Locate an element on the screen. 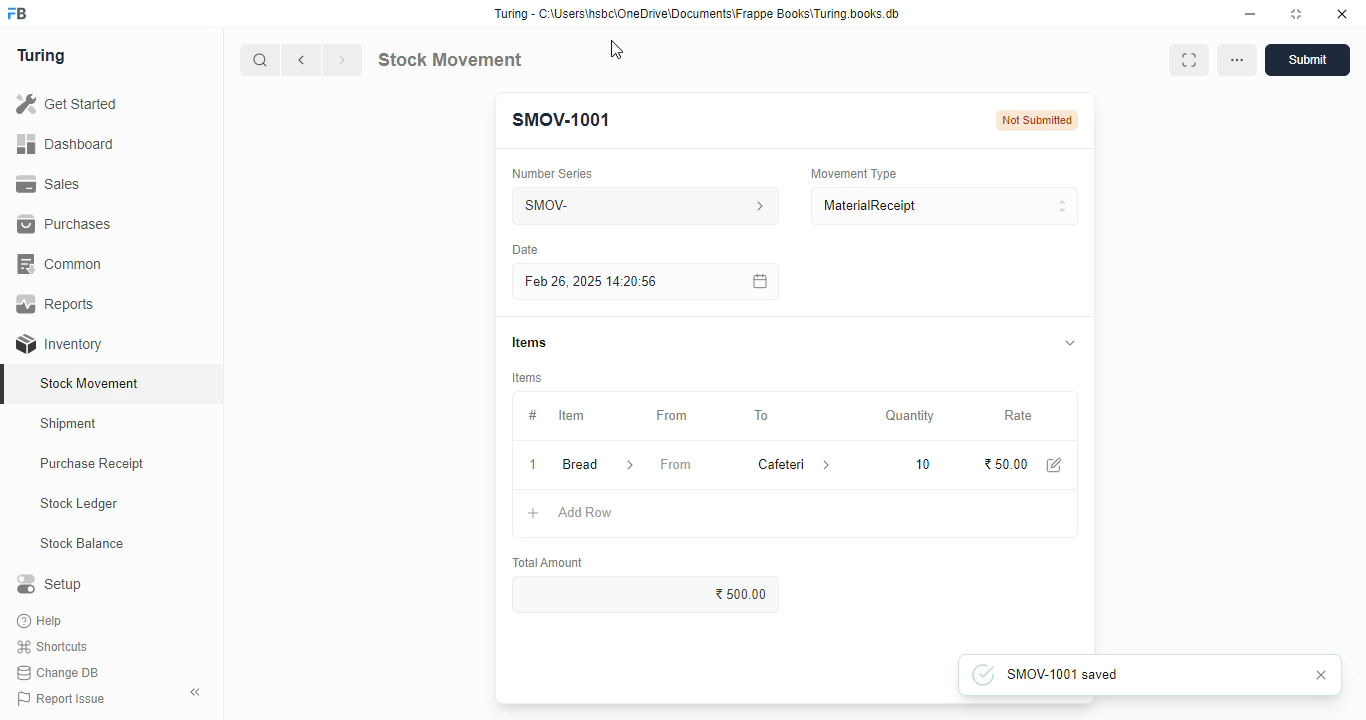 The image size is (1366, 720). 10 is located at coordinates (923, 465).